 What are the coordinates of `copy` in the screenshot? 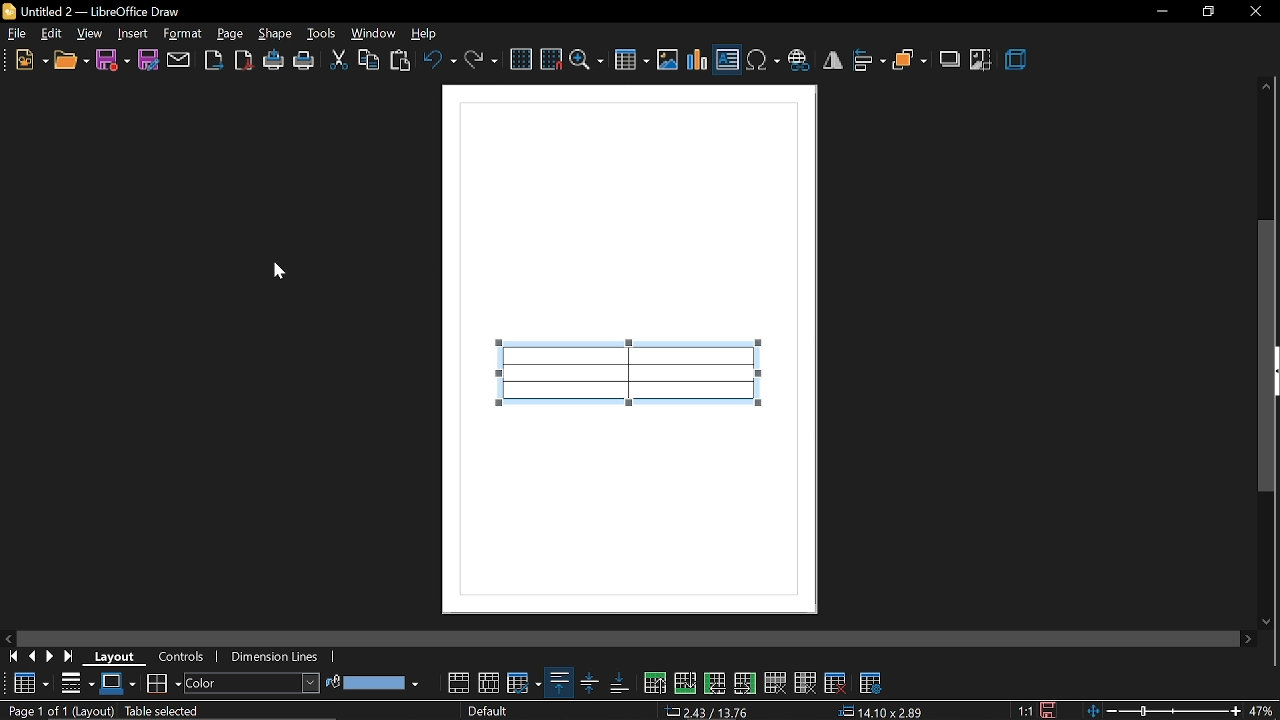 It's located at (370, 60).